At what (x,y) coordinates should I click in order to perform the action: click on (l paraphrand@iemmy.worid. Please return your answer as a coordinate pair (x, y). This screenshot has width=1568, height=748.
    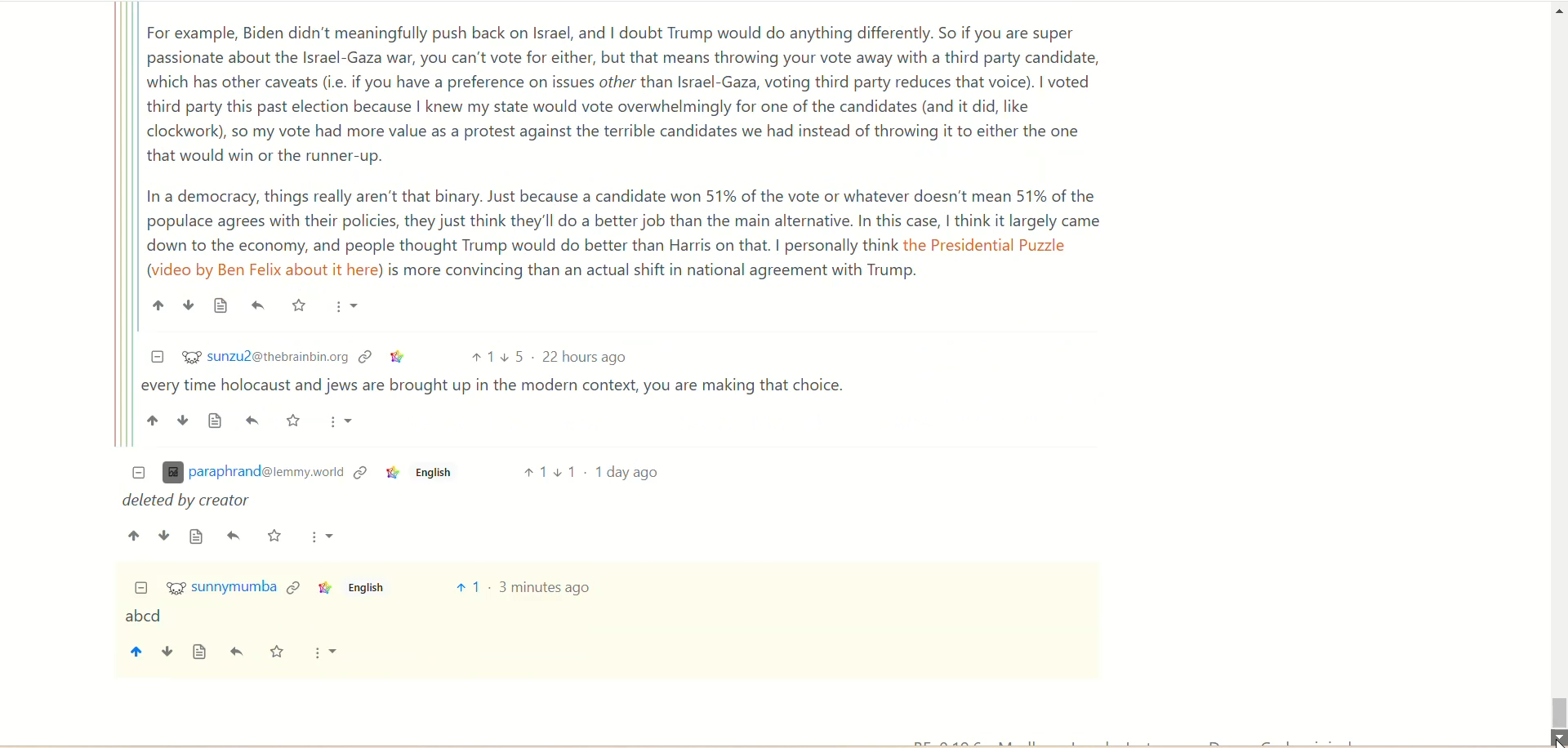
    Looking at the image, I should click on (252, 470).